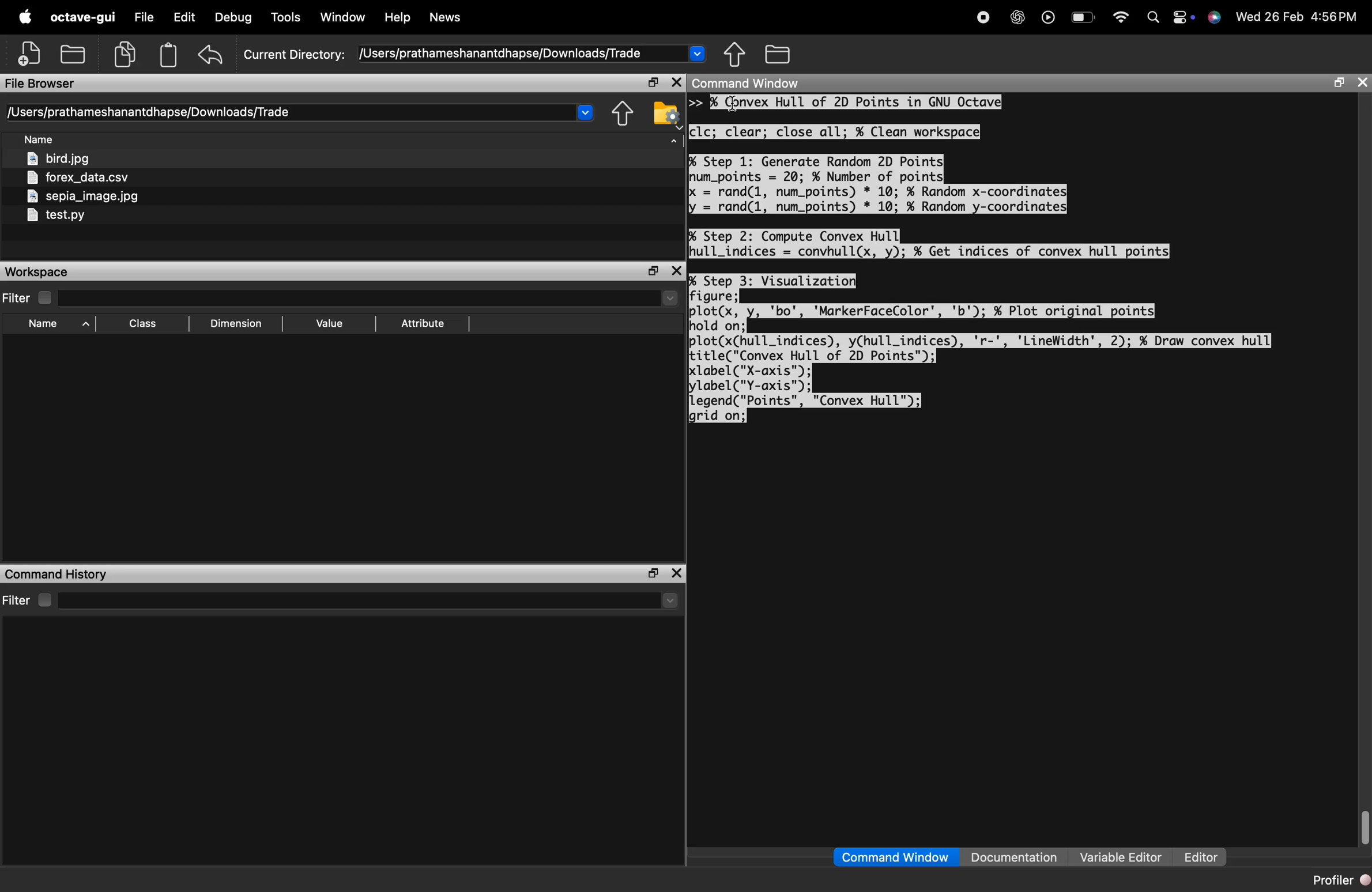 This screenshot has height=892, width=1372. I want to click on wifi, so click(1121, 18).